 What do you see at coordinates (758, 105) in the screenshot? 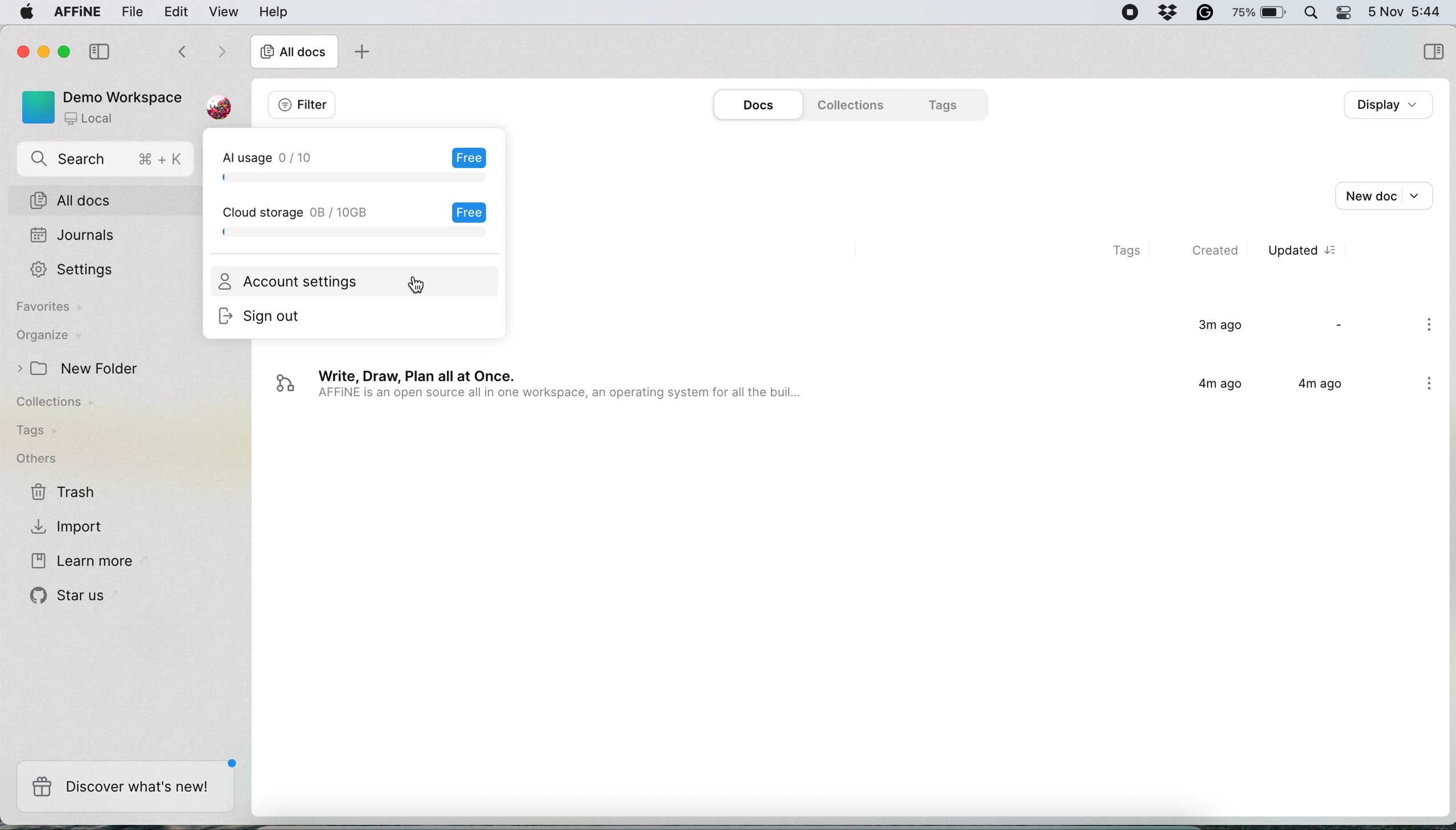
I see `docs` at bounding box center [758, 105].